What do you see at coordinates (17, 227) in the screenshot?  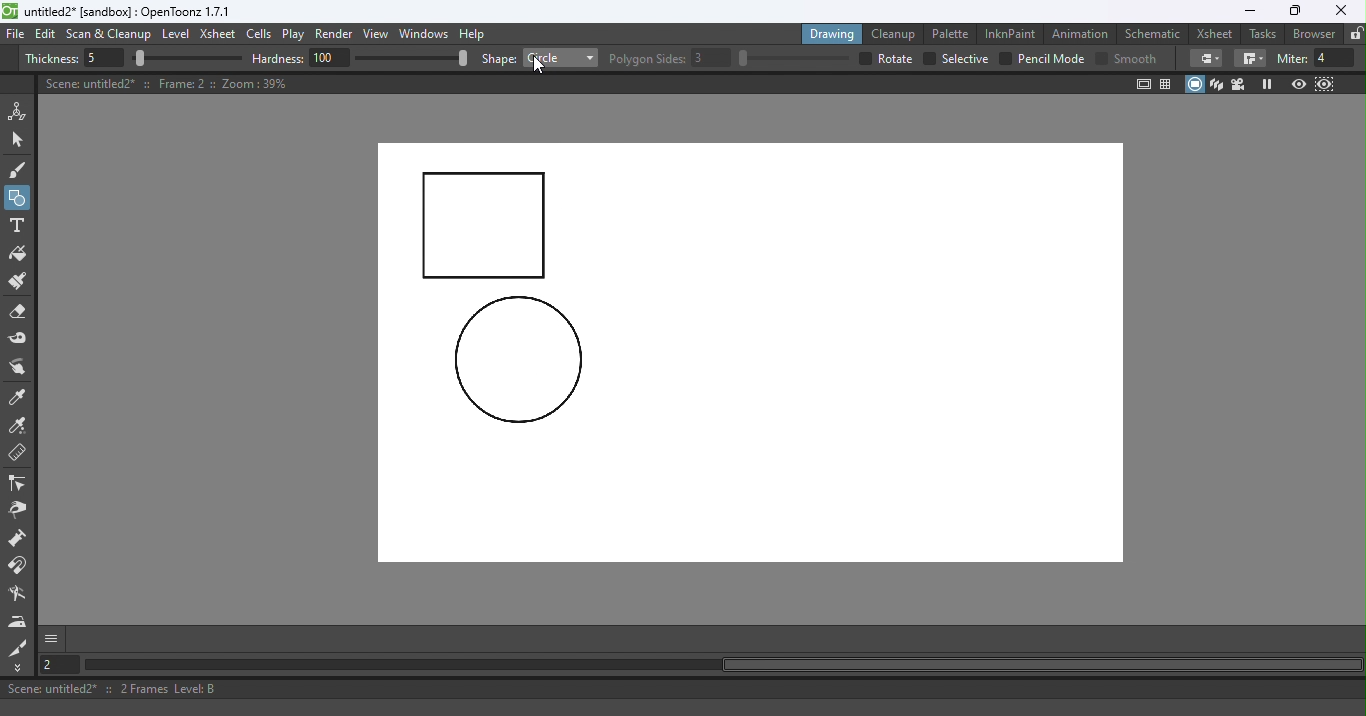 I see `Type tool` at bounding box center [17, 227].